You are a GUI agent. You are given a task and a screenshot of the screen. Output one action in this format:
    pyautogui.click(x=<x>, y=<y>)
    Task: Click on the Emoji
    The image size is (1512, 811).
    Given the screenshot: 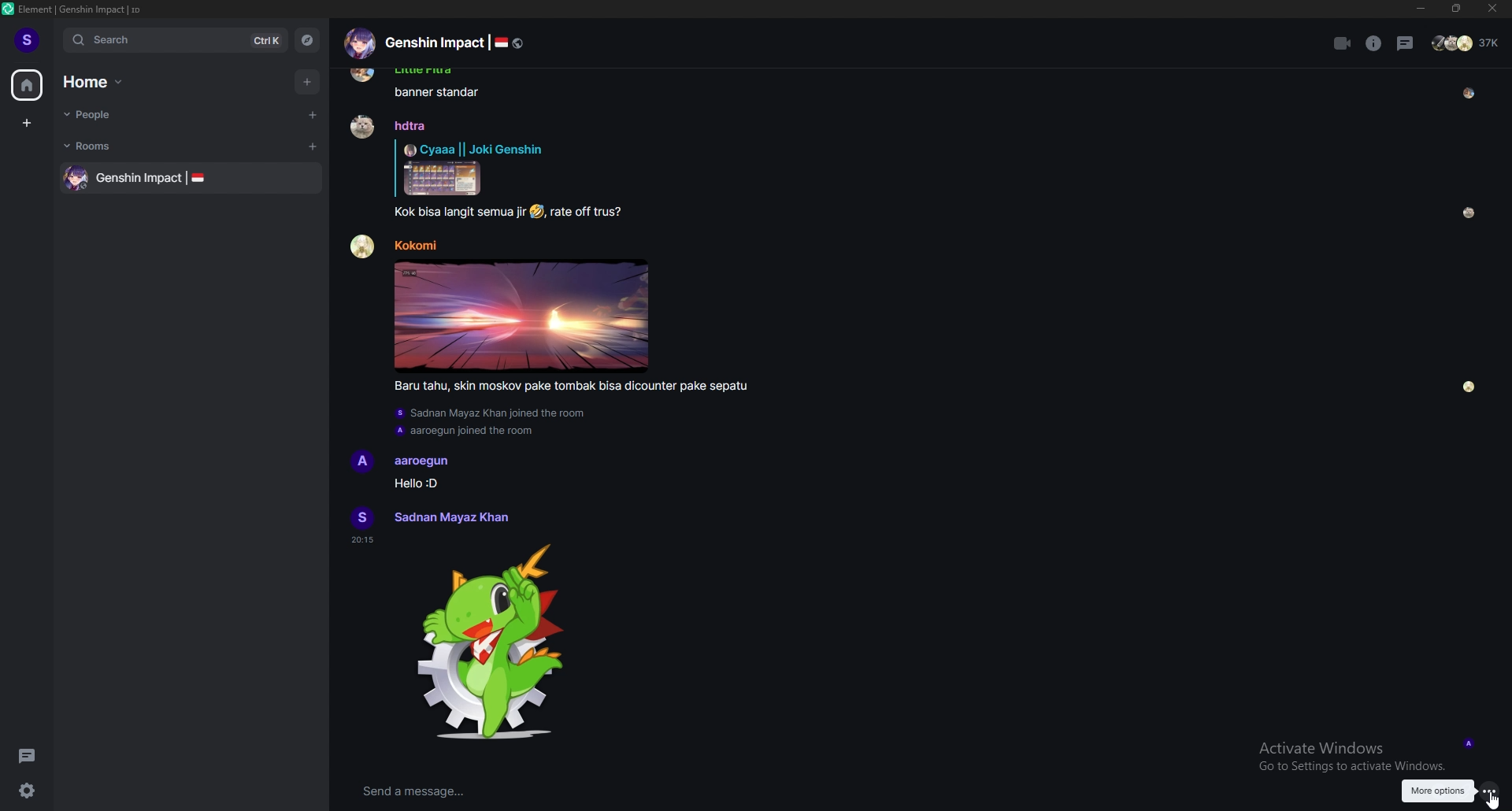 What is the action you would take?
    pyautogui.click(x=536, y=212)
    